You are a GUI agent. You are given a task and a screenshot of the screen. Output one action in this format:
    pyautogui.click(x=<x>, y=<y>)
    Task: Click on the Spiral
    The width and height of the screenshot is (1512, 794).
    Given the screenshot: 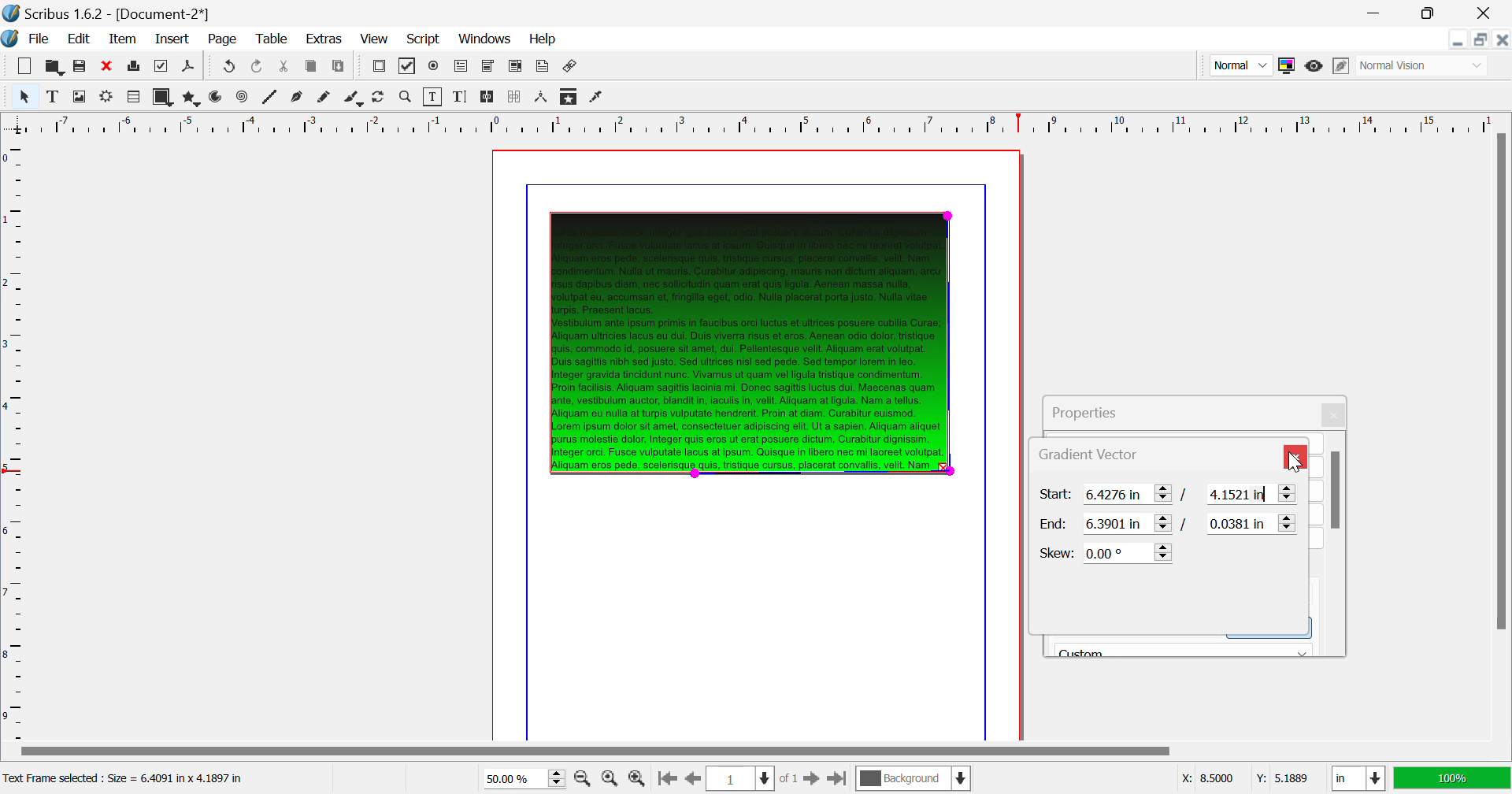 What is the action you would take?
    pyautogui.click(x=242, y=98)
    